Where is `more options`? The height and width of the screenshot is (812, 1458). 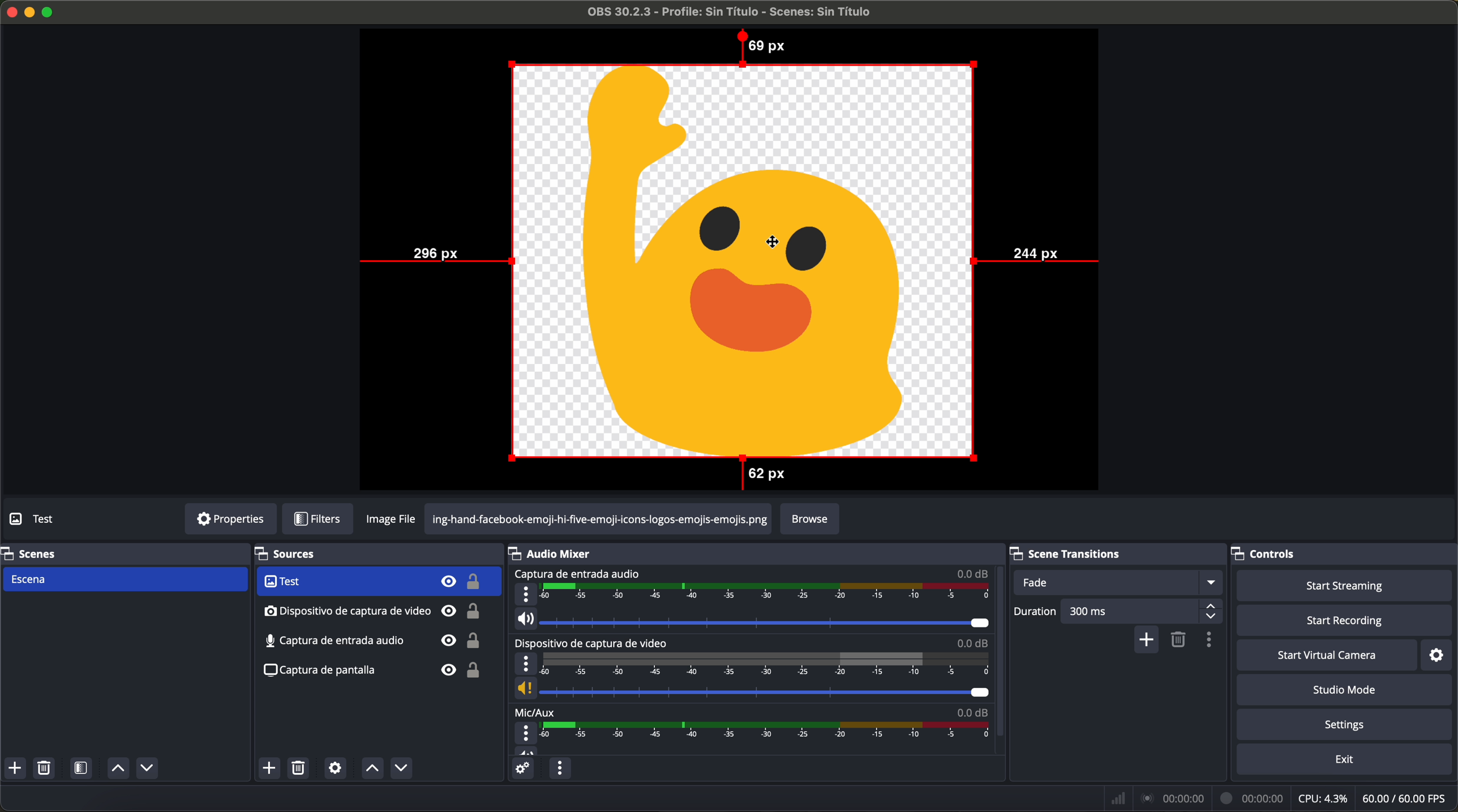
more options is located at coordinates (527, 733).